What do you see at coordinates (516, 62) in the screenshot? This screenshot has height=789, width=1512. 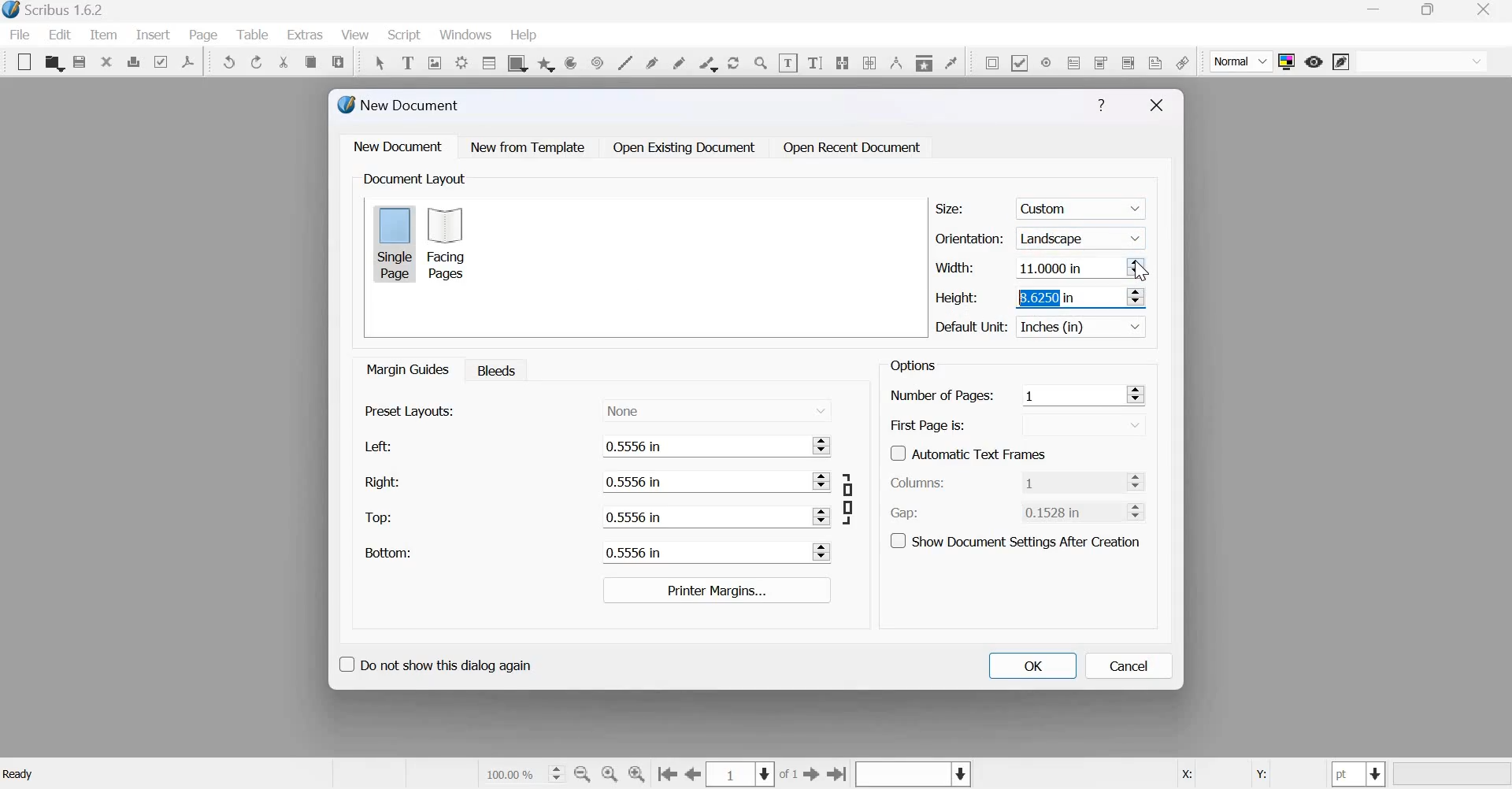 I see `shape` at bounding box center [516, 62].